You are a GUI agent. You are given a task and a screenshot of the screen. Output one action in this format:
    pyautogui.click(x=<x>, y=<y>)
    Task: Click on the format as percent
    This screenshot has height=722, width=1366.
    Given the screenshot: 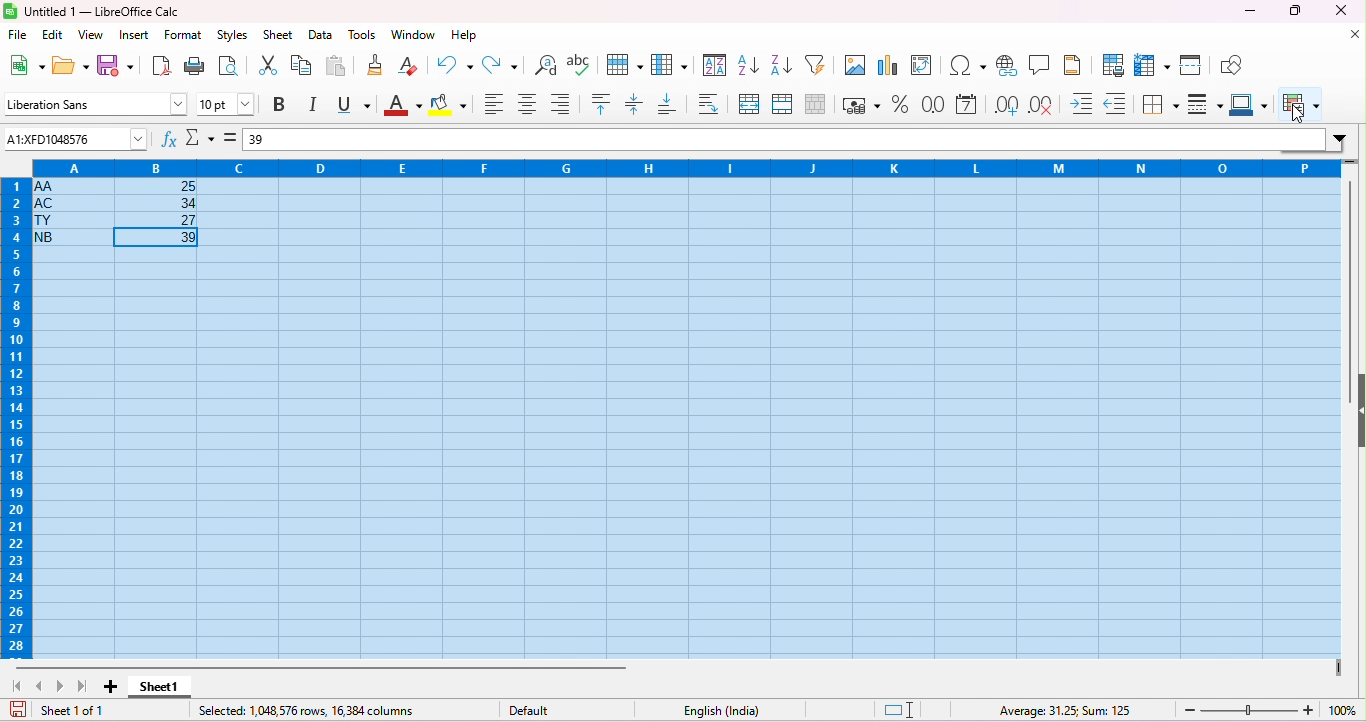 What is the action you would take?
    pyautogui.click(x=900, y=103)
    